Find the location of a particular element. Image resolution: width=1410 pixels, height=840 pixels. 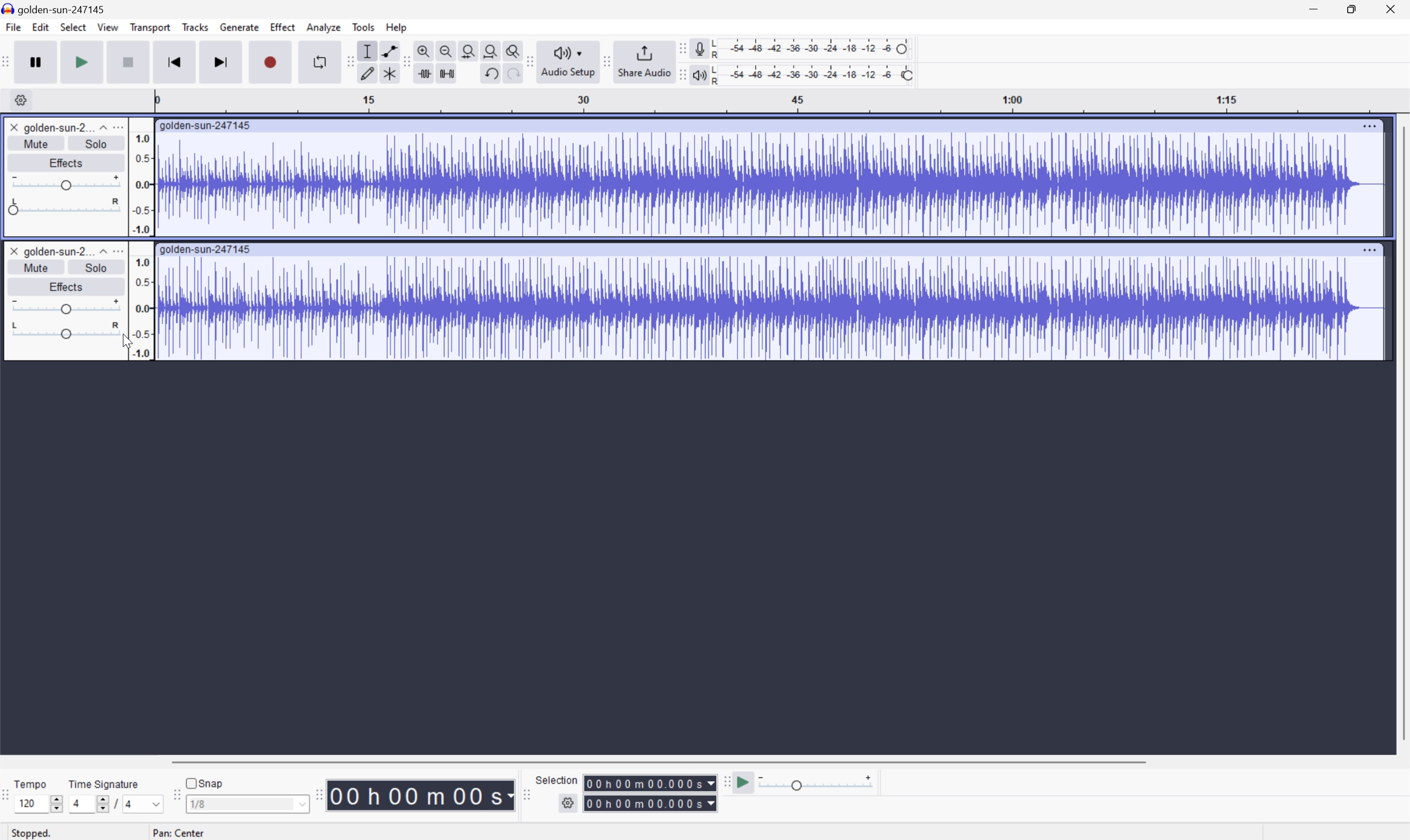

More is located at coordinates (119, 253).